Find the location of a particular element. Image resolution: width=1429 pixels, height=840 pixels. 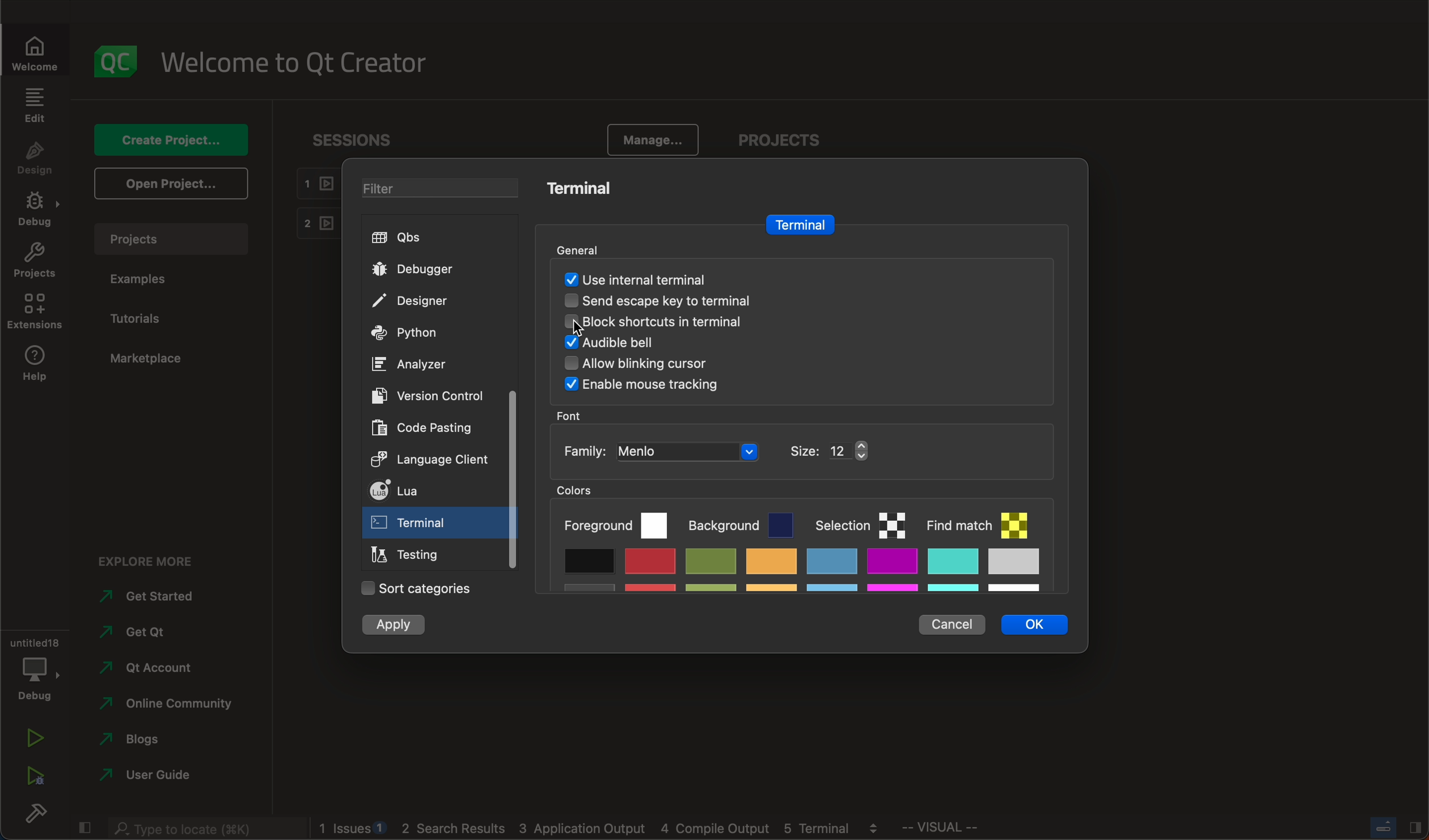

language is located at coordinates (433, 461).